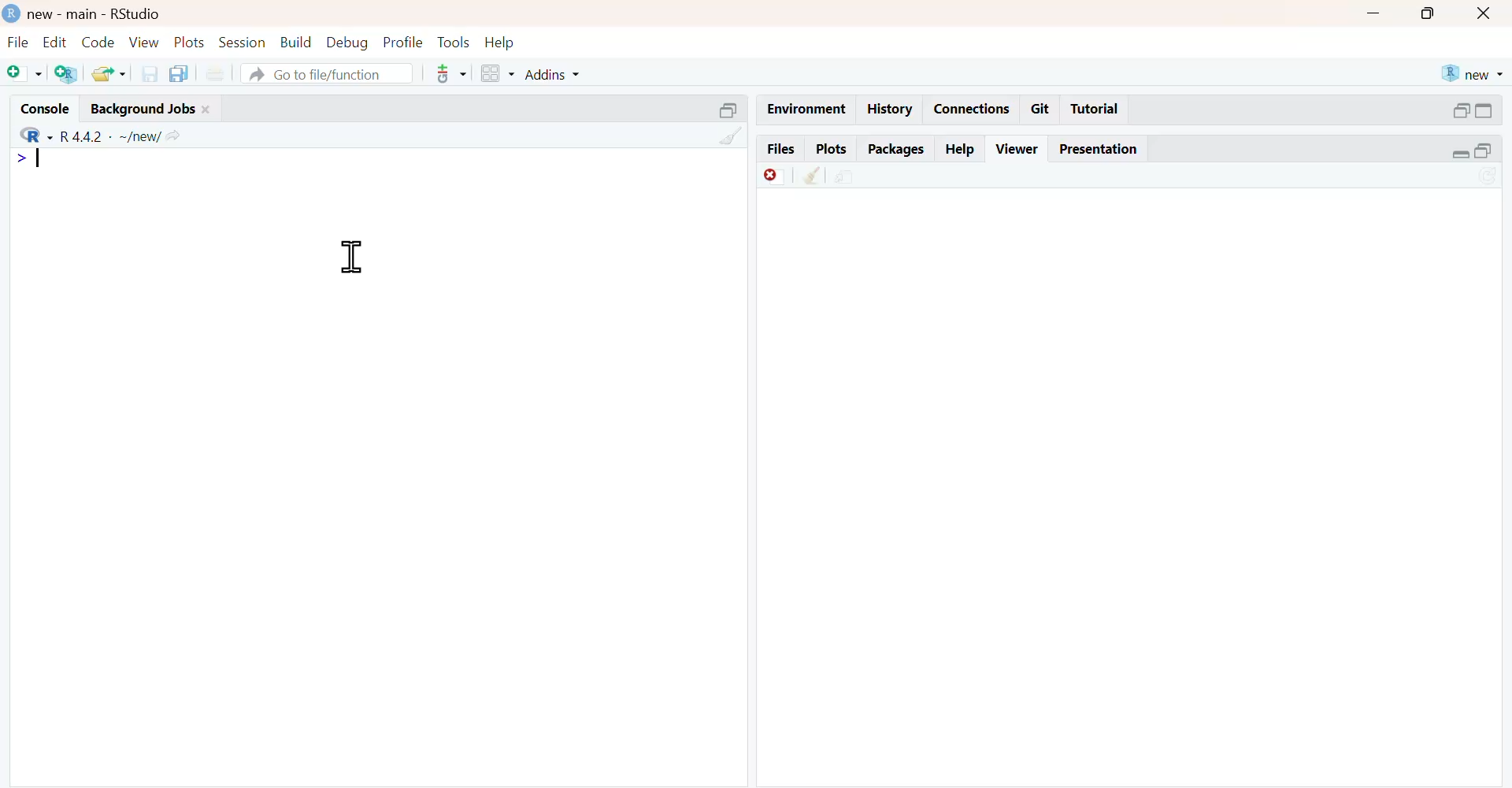 Image resolution: width=1512 pixels, height=788 pixels. I want to click on git, so click(1042, 110).